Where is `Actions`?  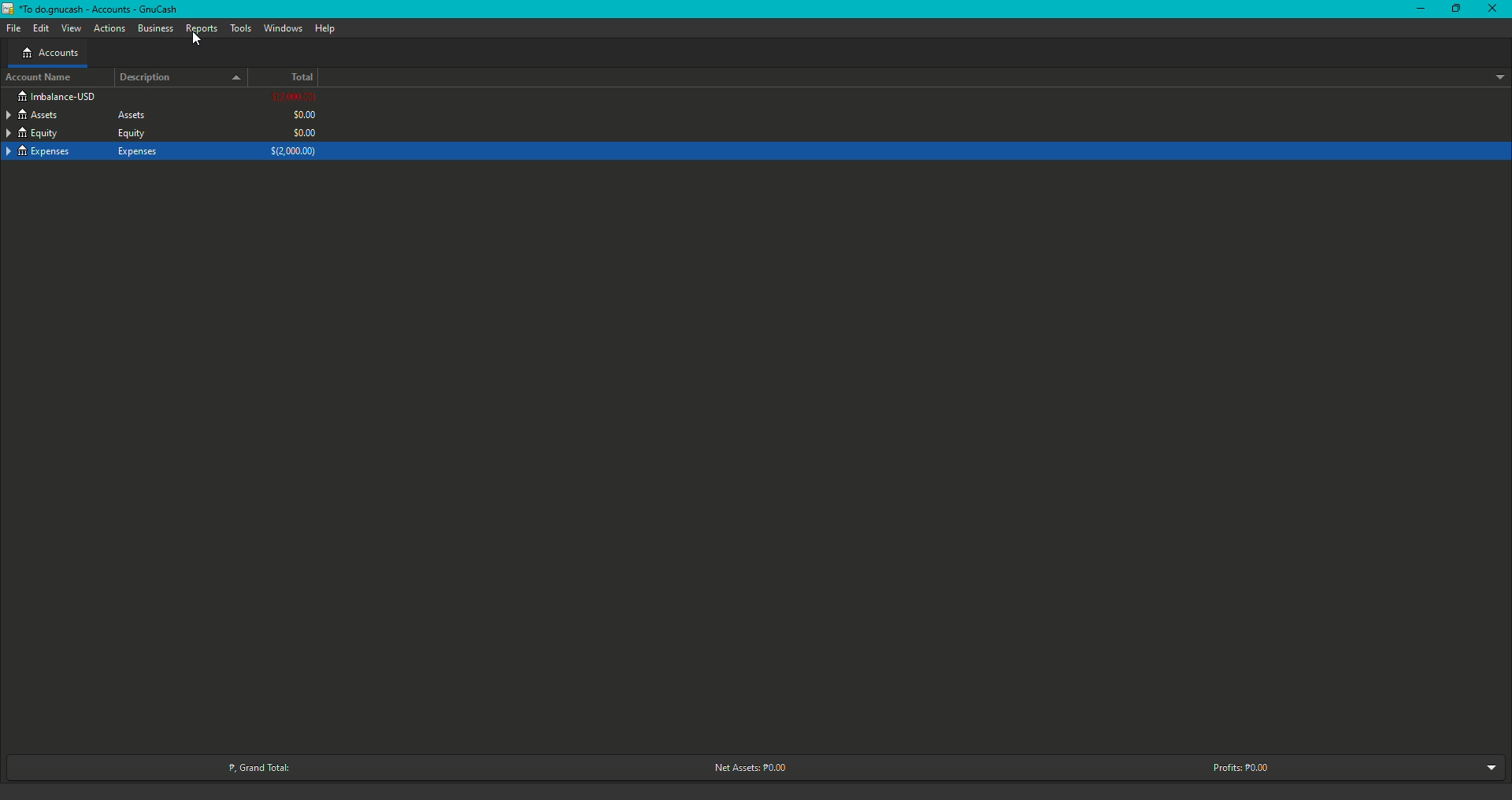
Actions is located at coordinates (109, 27).